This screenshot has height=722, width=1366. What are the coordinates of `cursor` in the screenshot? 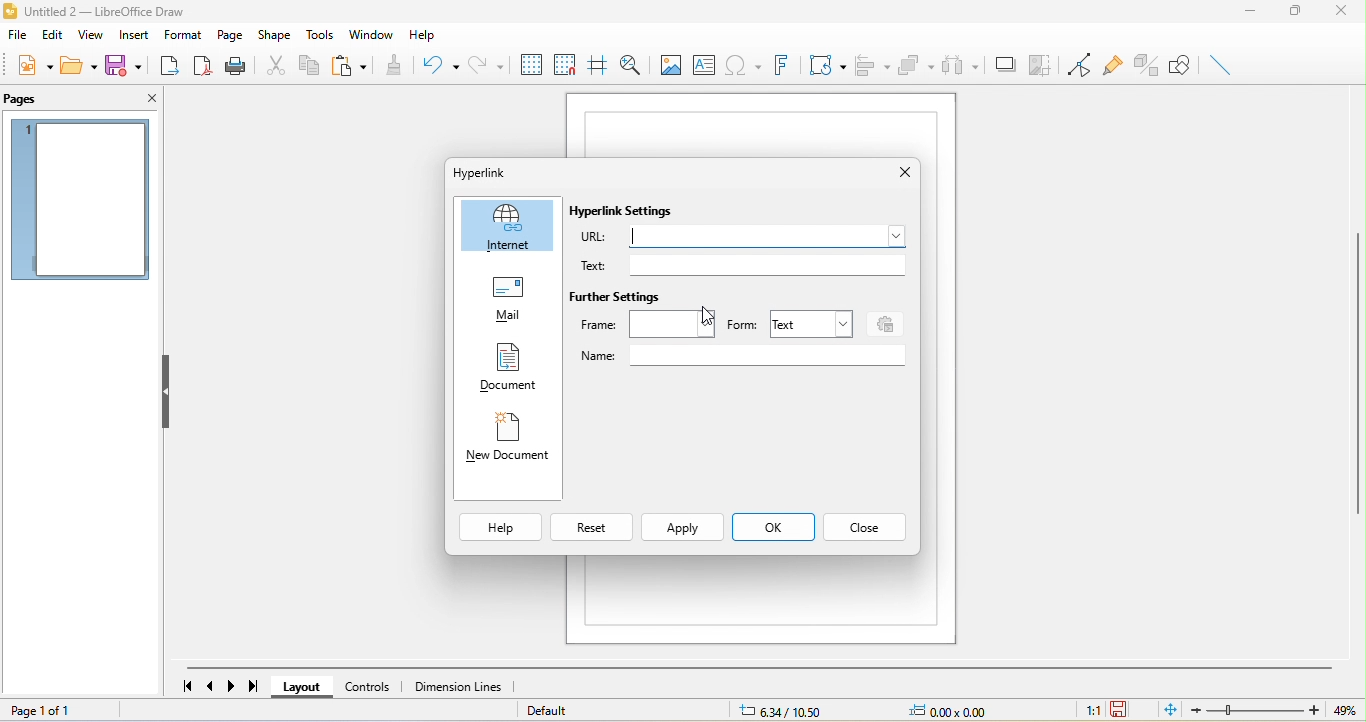 It's located at (700, 318).